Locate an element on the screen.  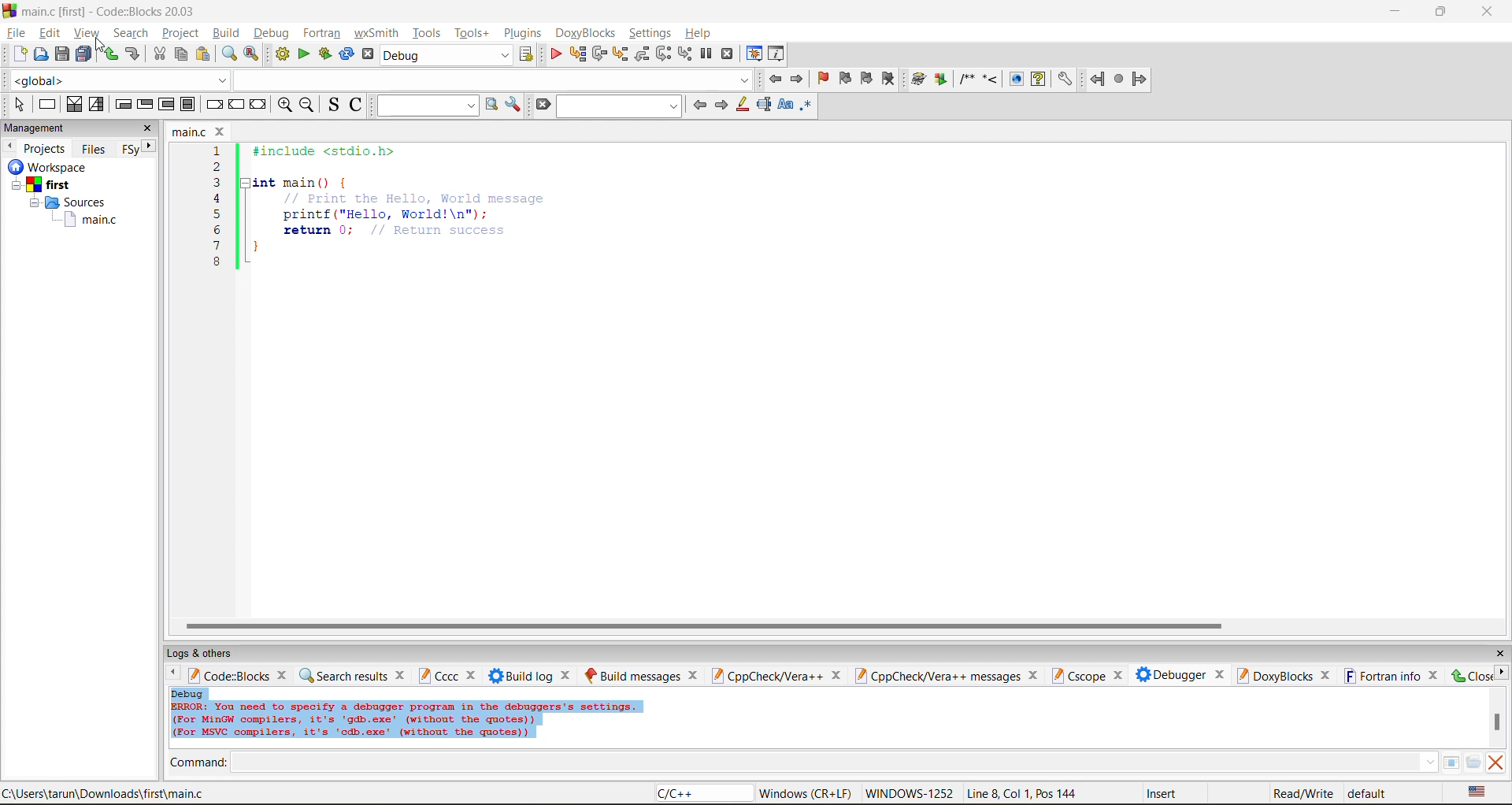
paste is located at coordinates (203, 55).